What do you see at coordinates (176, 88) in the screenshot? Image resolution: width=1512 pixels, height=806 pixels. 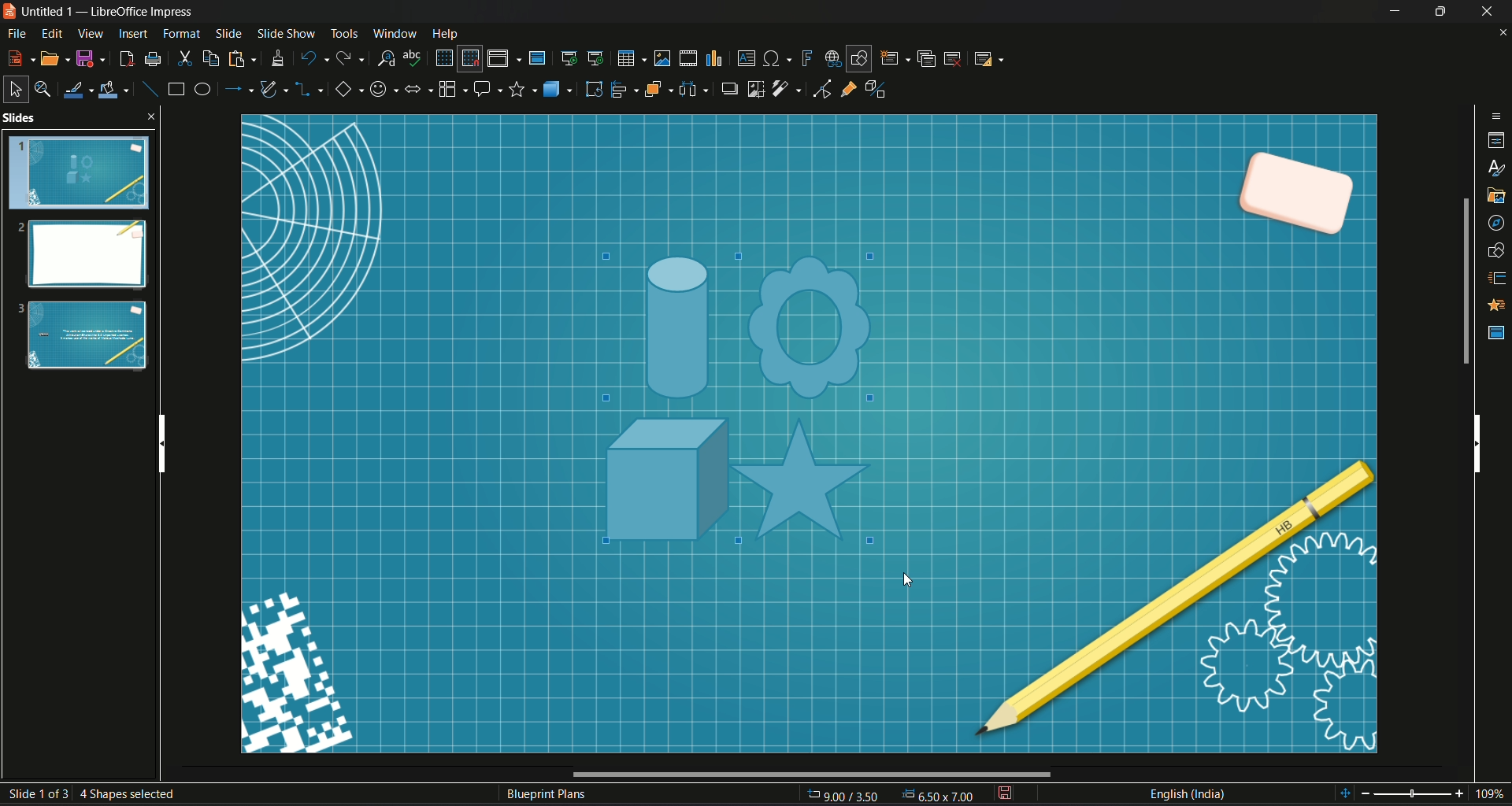 I see `rectangle` at bounding box center [176, 88].